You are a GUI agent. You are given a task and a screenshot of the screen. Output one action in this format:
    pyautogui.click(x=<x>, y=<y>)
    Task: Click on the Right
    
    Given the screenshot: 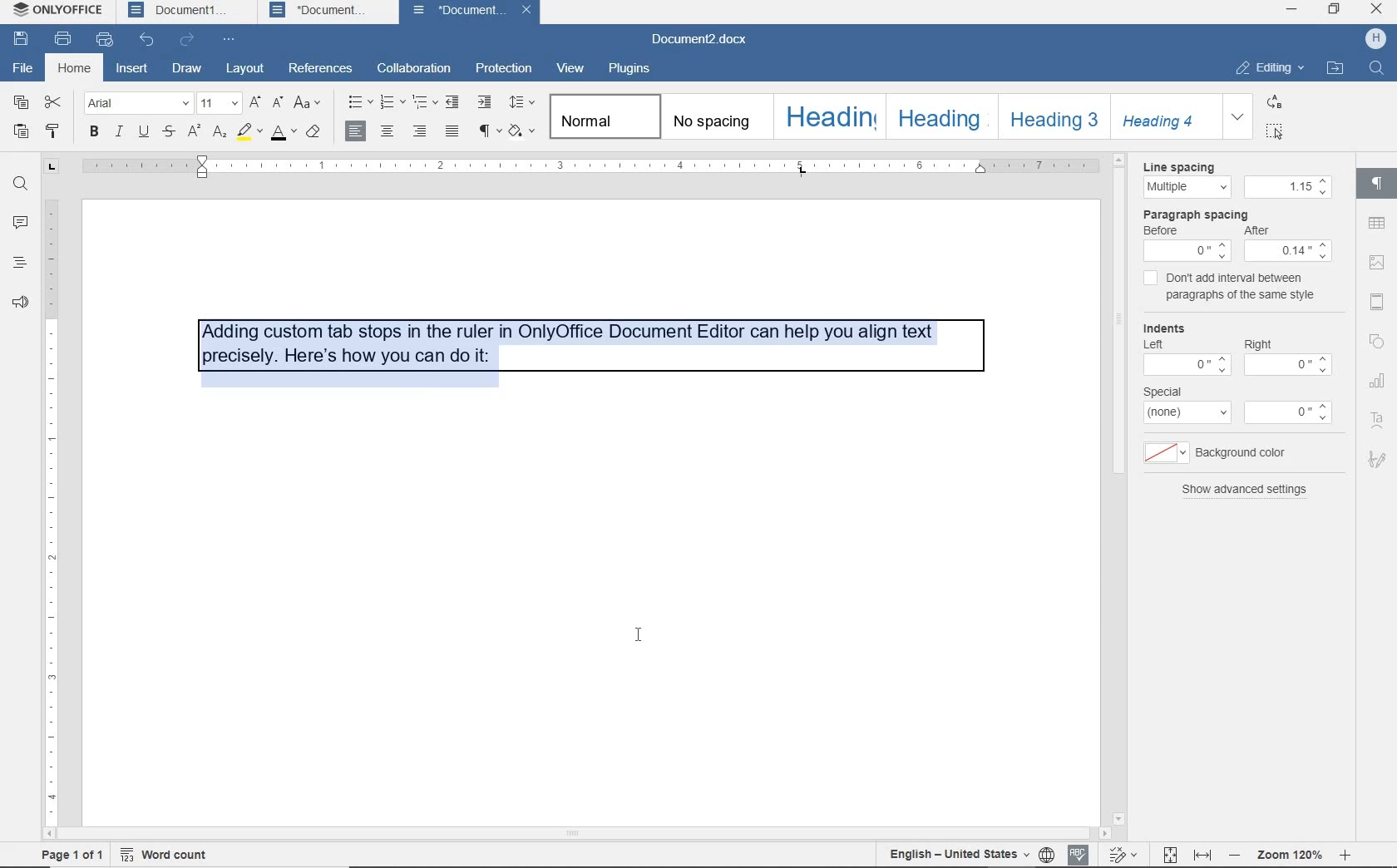 What is the action you would take?
    pyautogui.click(x=1263, y=343)
    